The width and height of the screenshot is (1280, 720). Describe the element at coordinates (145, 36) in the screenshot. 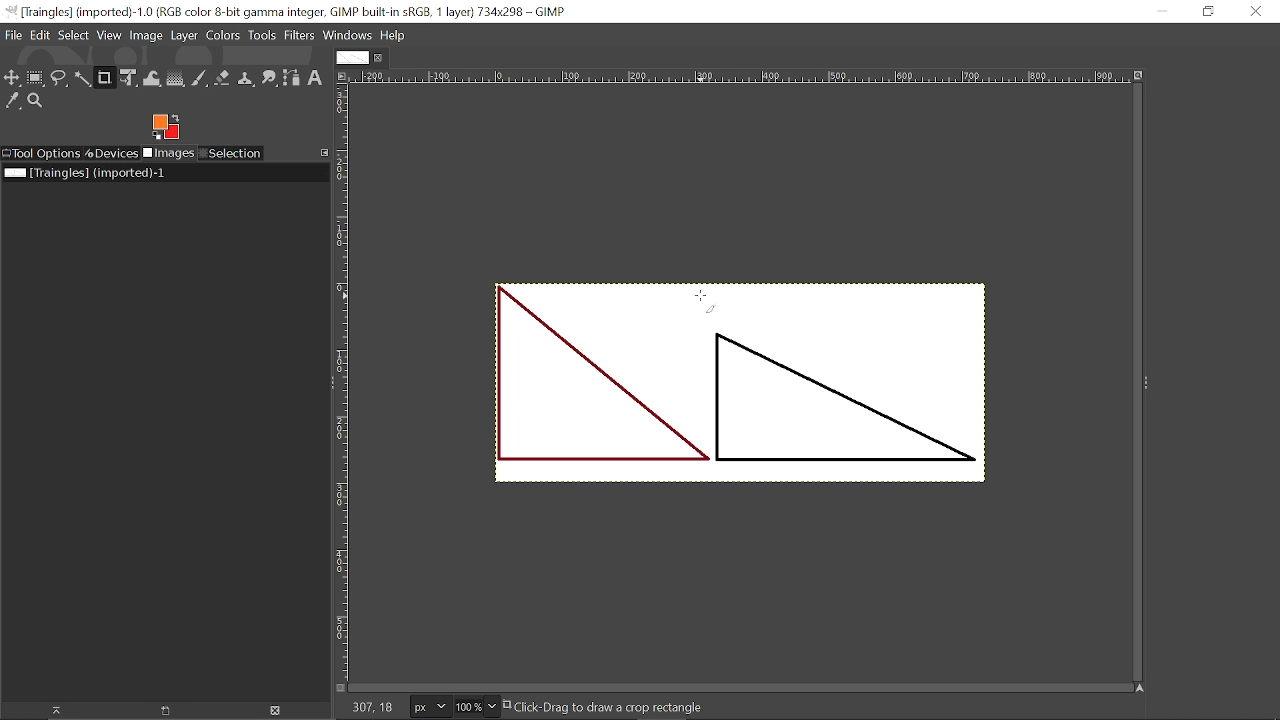

I see `Image` at that location.